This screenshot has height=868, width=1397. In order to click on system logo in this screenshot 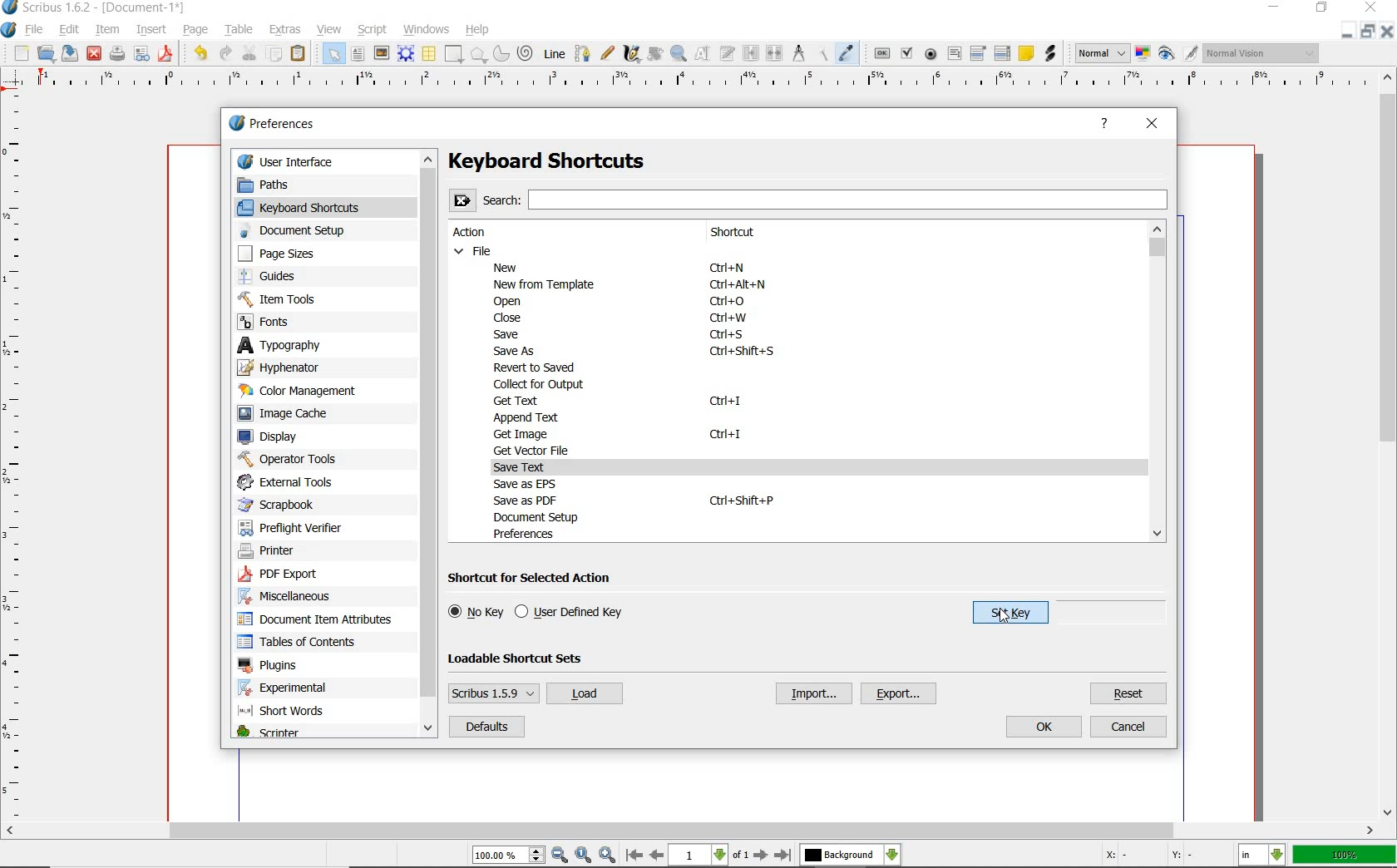, I will do `click(9, 31)`.